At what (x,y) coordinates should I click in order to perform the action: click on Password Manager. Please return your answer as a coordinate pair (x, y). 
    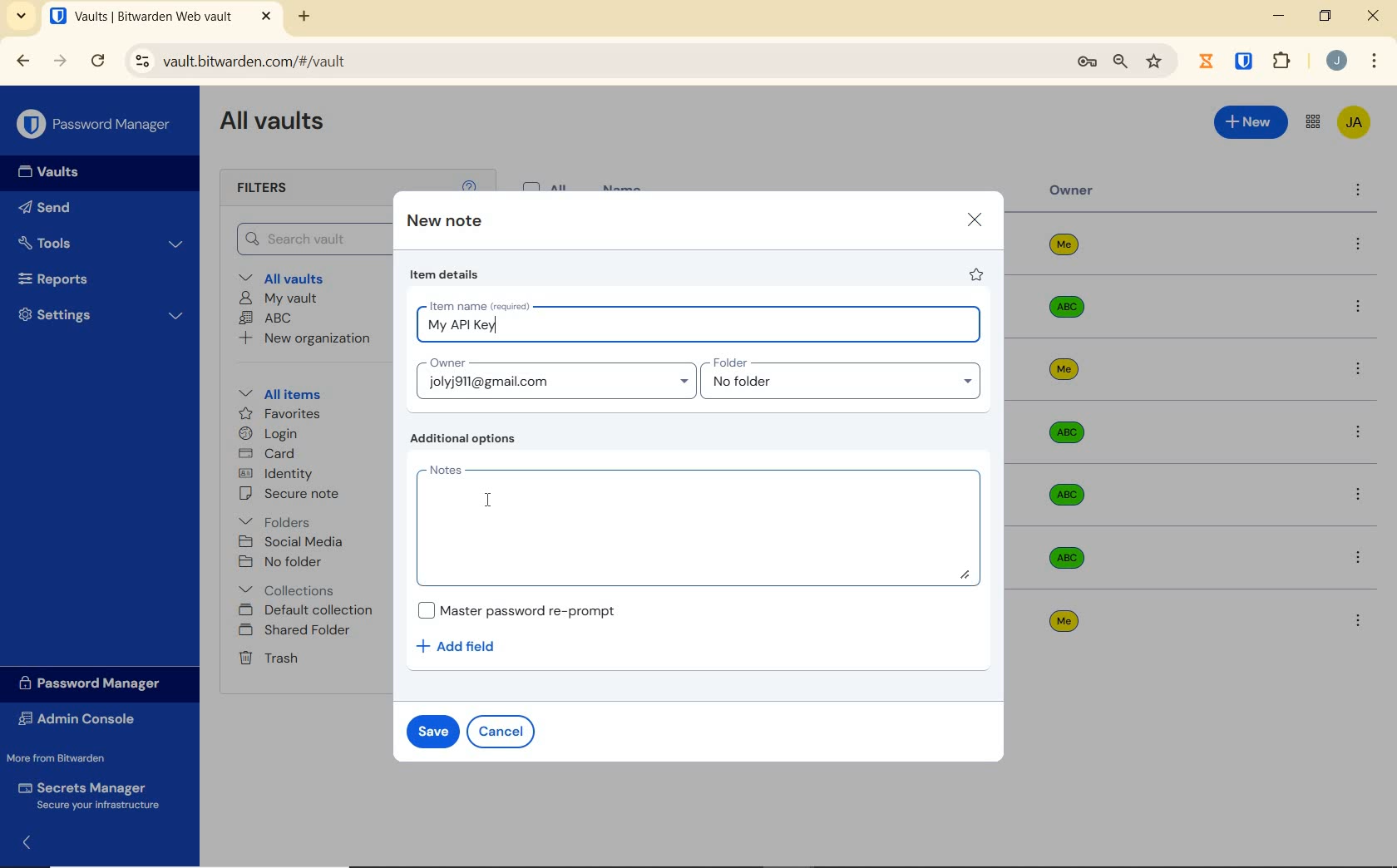
    Looking at the image, I should click on (95, 683).